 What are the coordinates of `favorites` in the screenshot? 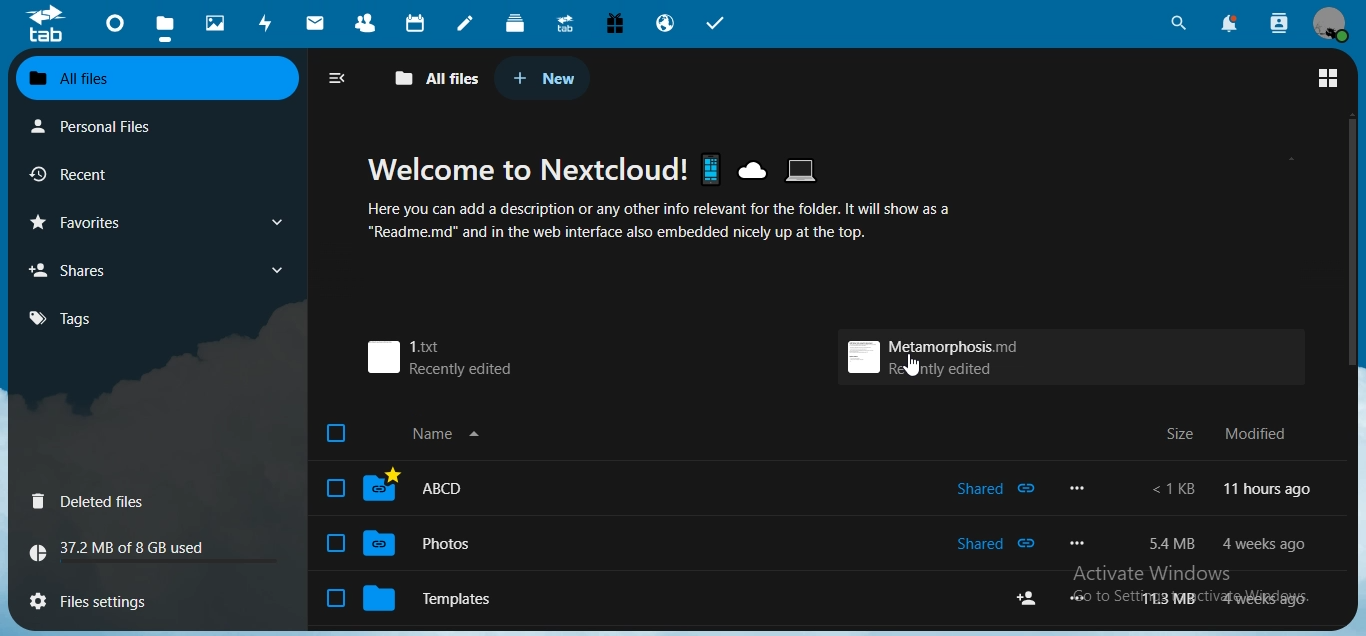 It's located at (88, 224).